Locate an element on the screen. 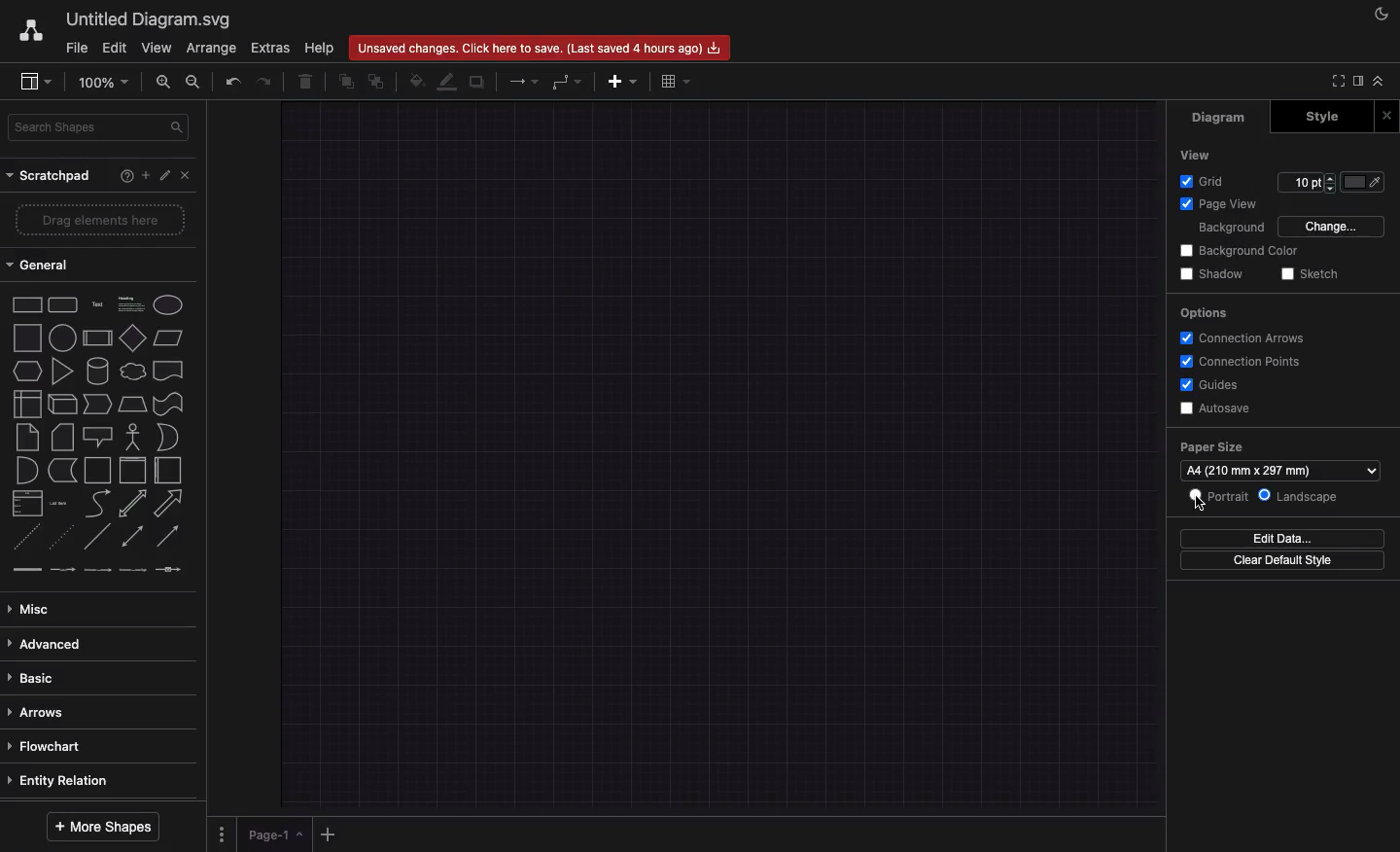 The image size is (1400, 852). Clear default style is located at coordinates (1280, 562).